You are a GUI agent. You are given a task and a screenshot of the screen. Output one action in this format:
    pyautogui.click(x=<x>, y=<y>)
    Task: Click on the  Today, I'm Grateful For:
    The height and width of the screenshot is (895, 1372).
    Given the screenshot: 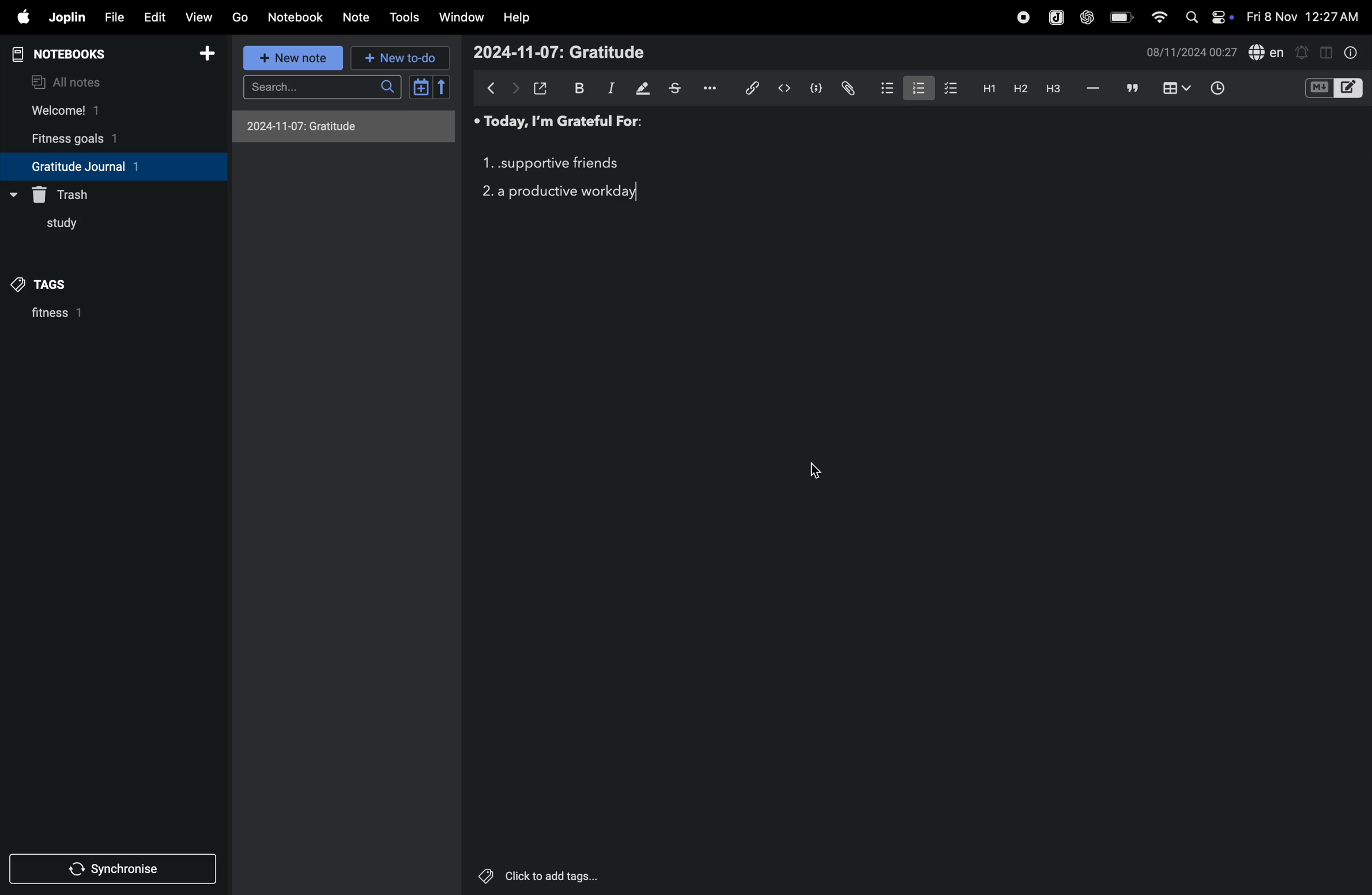 What is the action you would take?
    pyautogui.click(x=556, y=123)
    